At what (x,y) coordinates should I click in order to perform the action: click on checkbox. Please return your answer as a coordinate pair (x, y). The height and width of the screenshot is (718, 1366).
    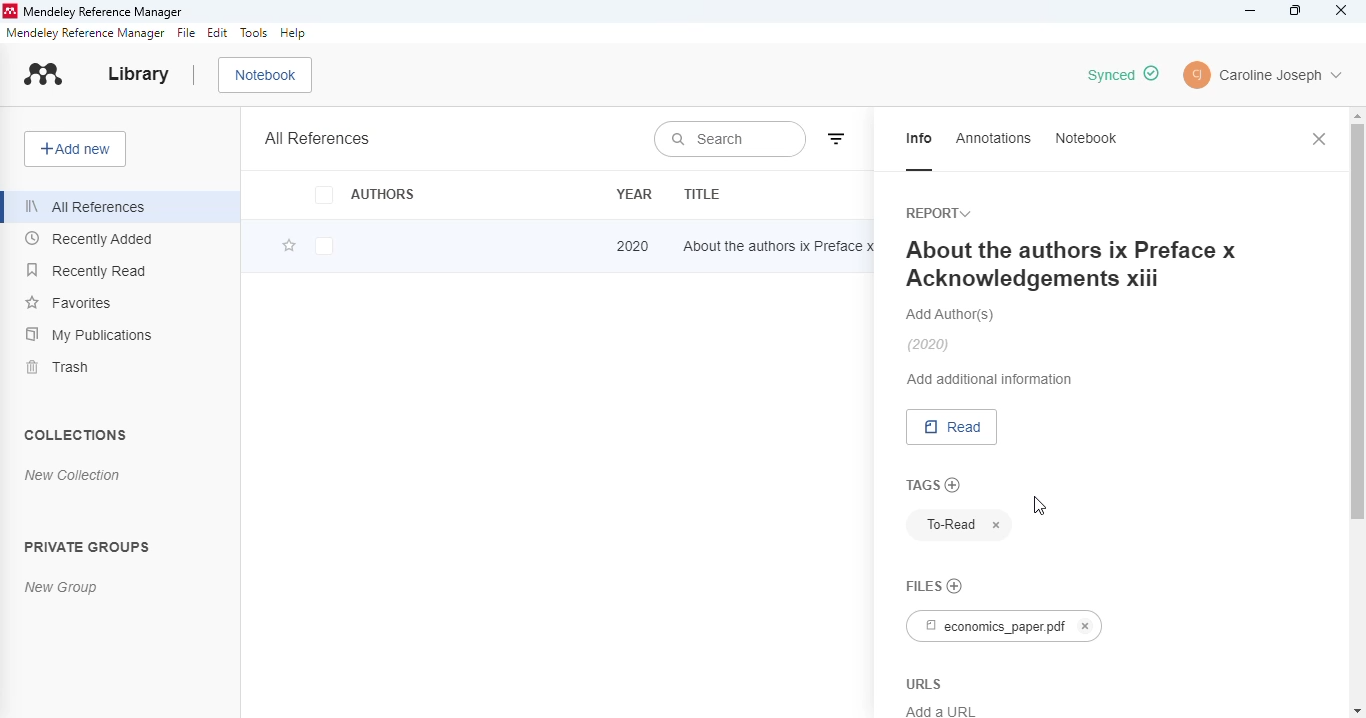
    Looking at the image, I should click on (326, 248).